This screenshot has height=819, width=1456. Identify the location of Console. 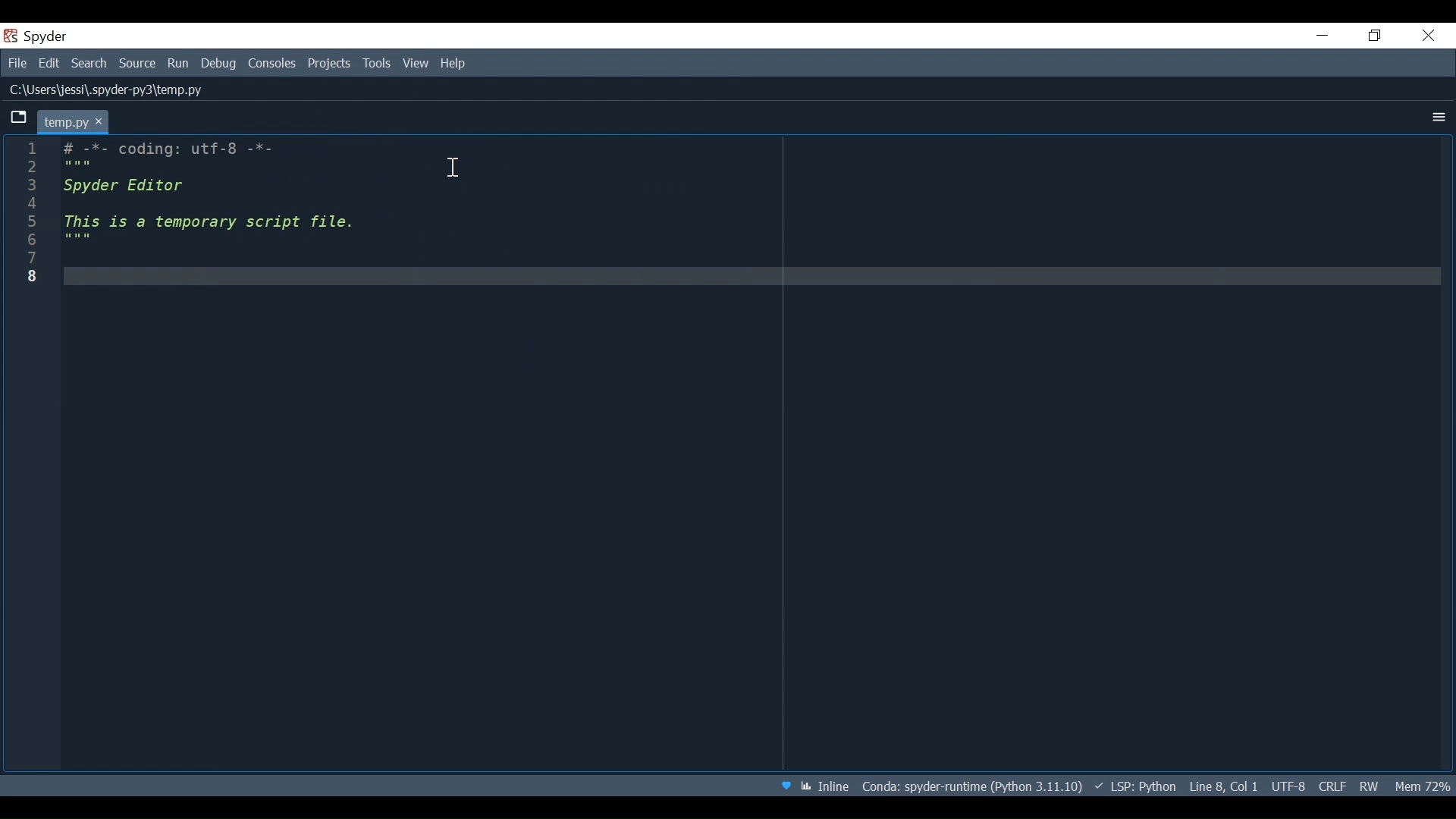
(274, 63).